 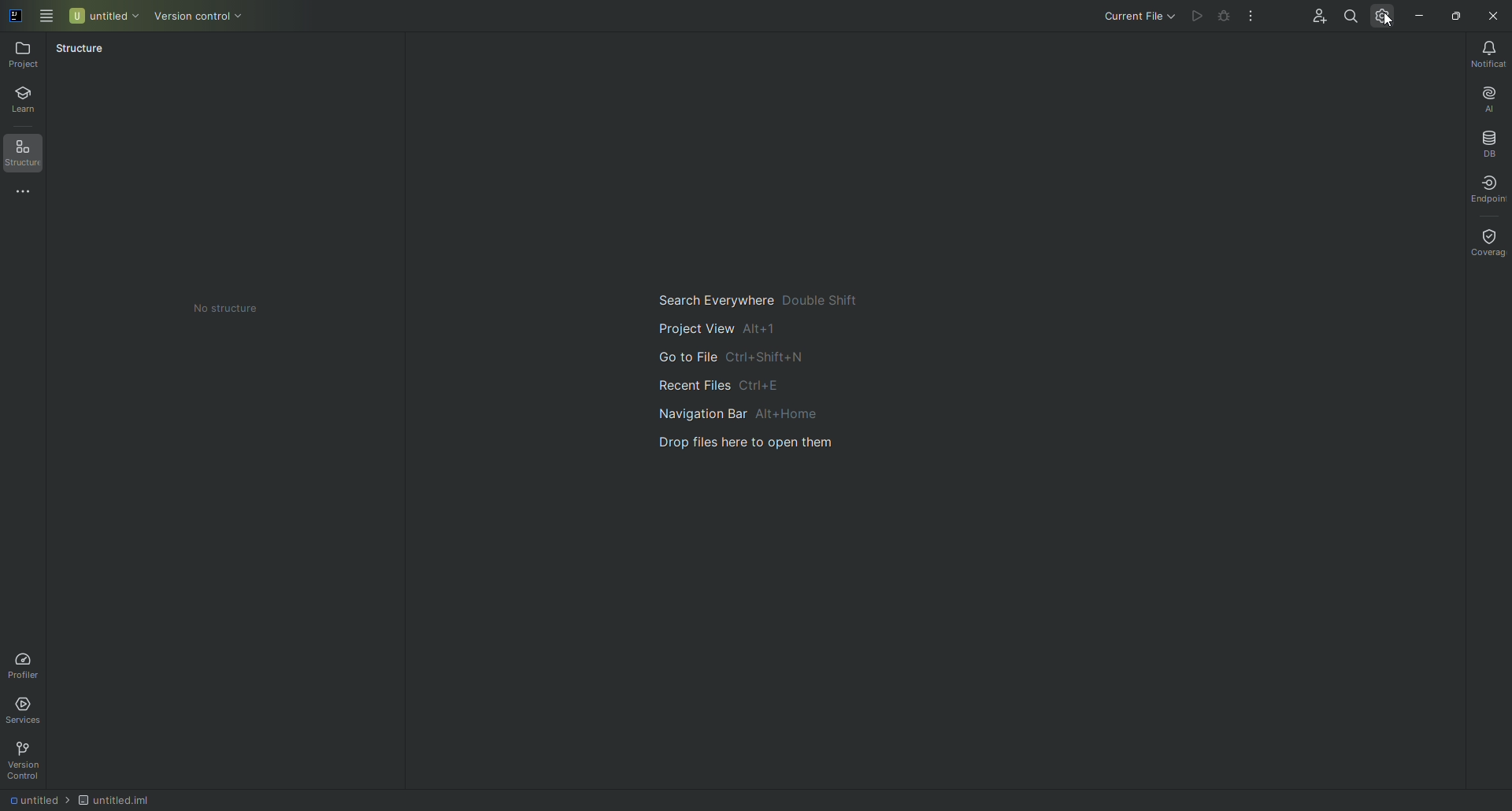 I want to click on Search, so click(x=1351, y=17).